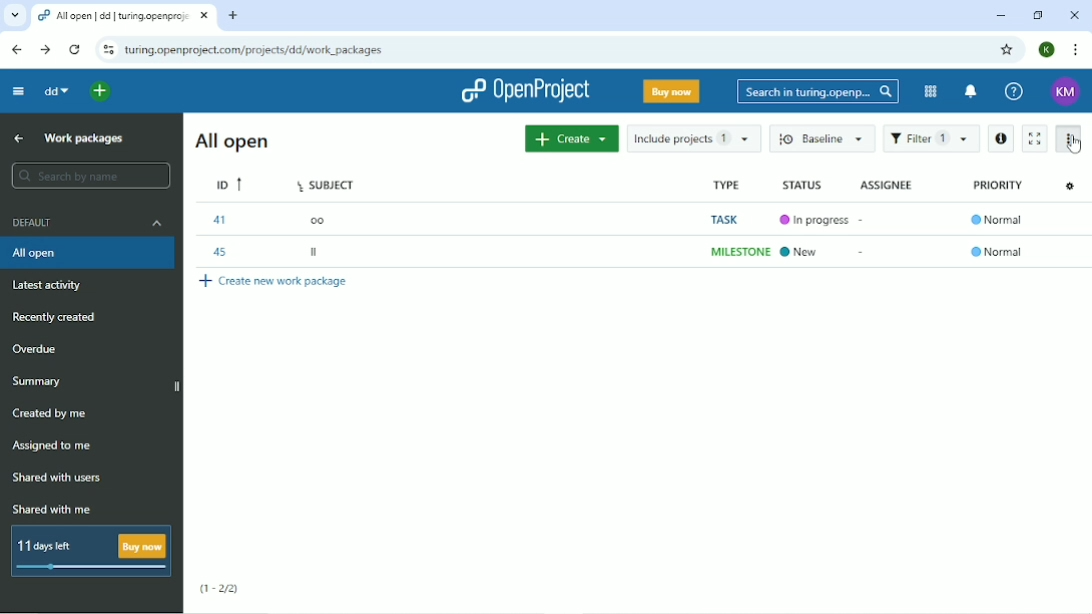 This screenshot has height=614, width=1092. Describe the element at coordinates (1046, 49) in the screenshot. I see `Account` at that location.